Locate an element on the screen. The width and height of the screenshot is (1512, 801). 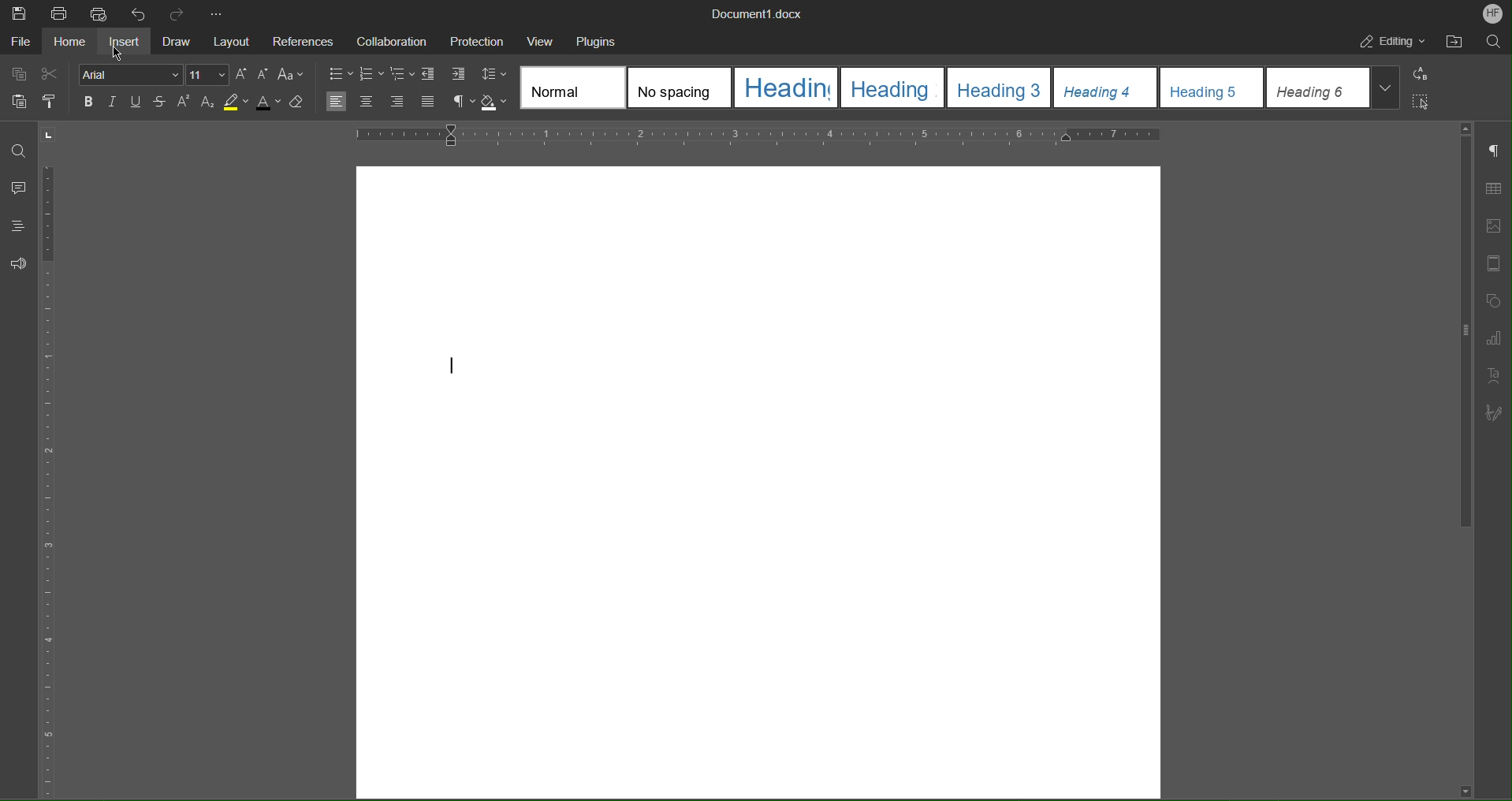
Underline is located at coordinates (136, 102).